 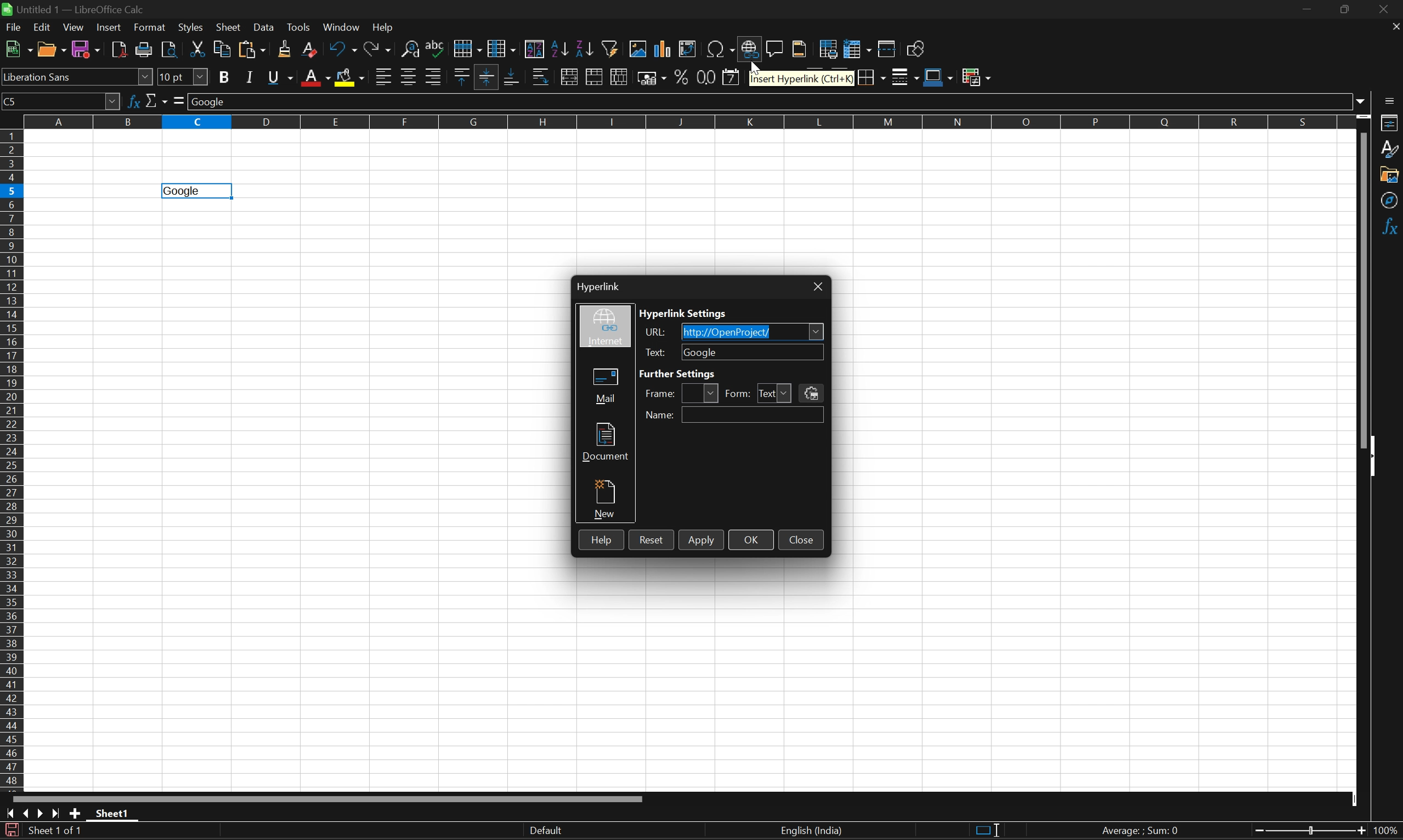 I want to click on Help, so click(x=384, y=27).